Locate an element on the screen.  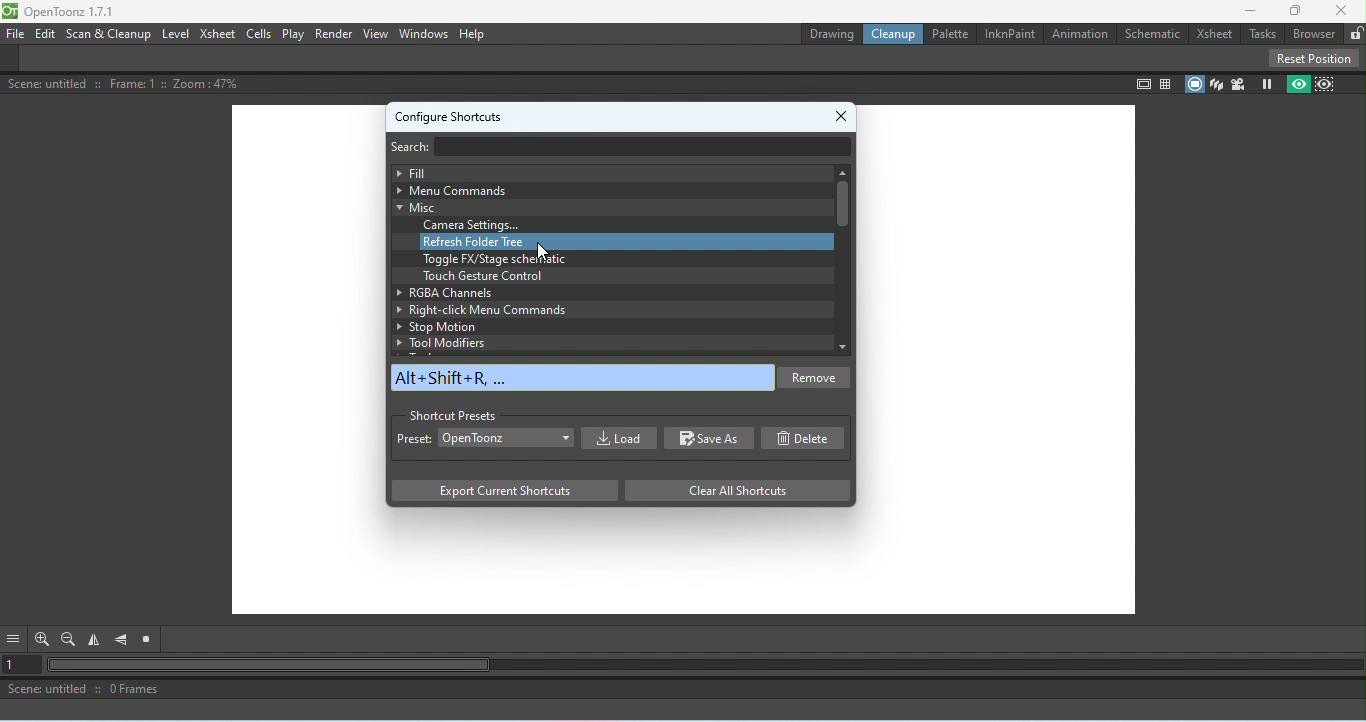
Freeze is located at coordinates (1263, 85).